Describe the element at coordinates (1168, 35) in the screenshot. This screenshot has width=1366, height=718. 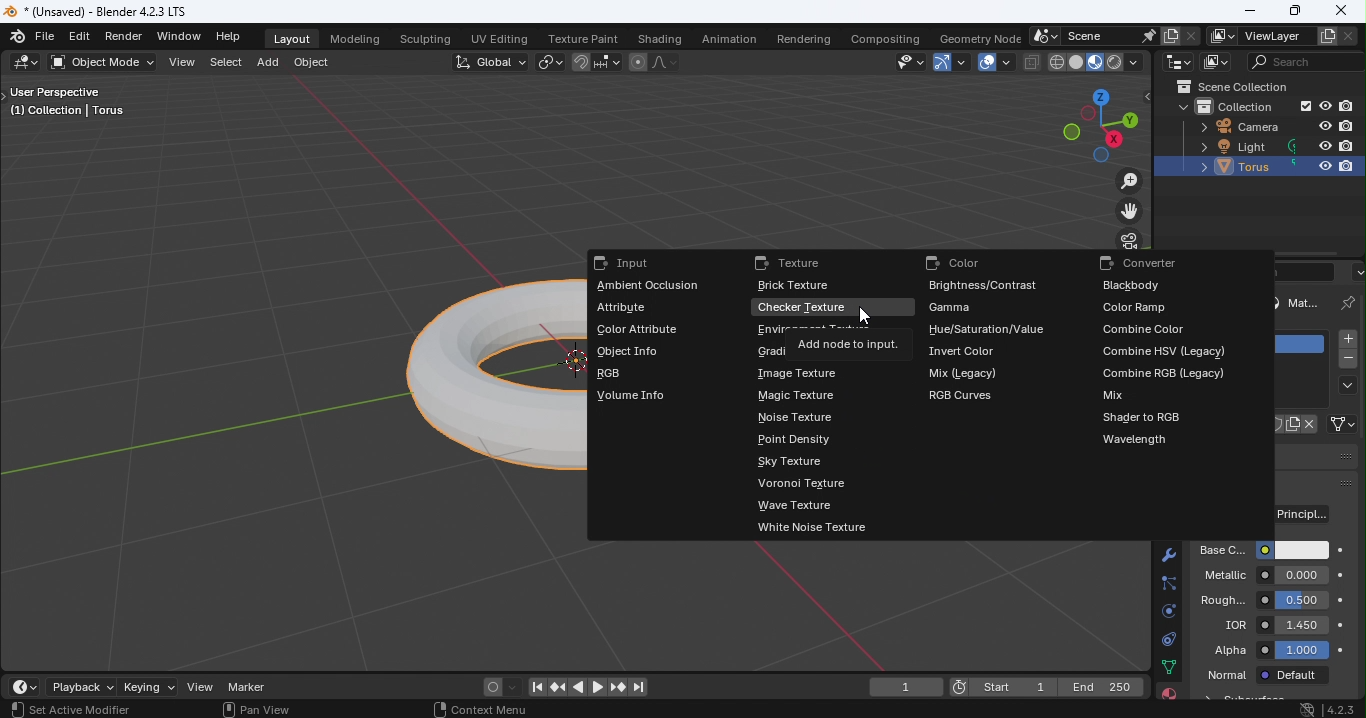
I see `New scene` at that location.